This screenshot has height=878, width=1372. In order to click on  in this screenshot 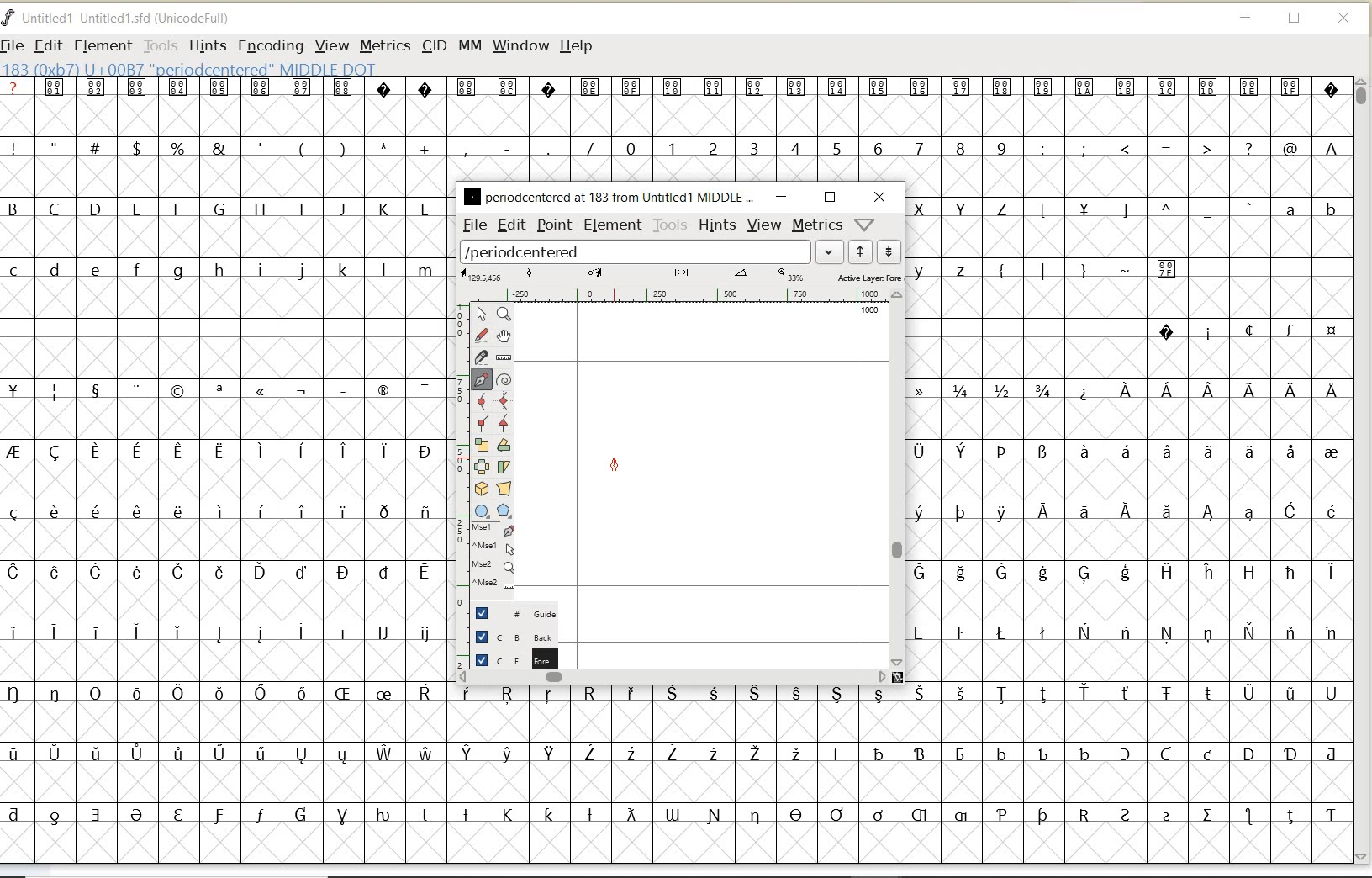, I will do `click(1143, 211)`.